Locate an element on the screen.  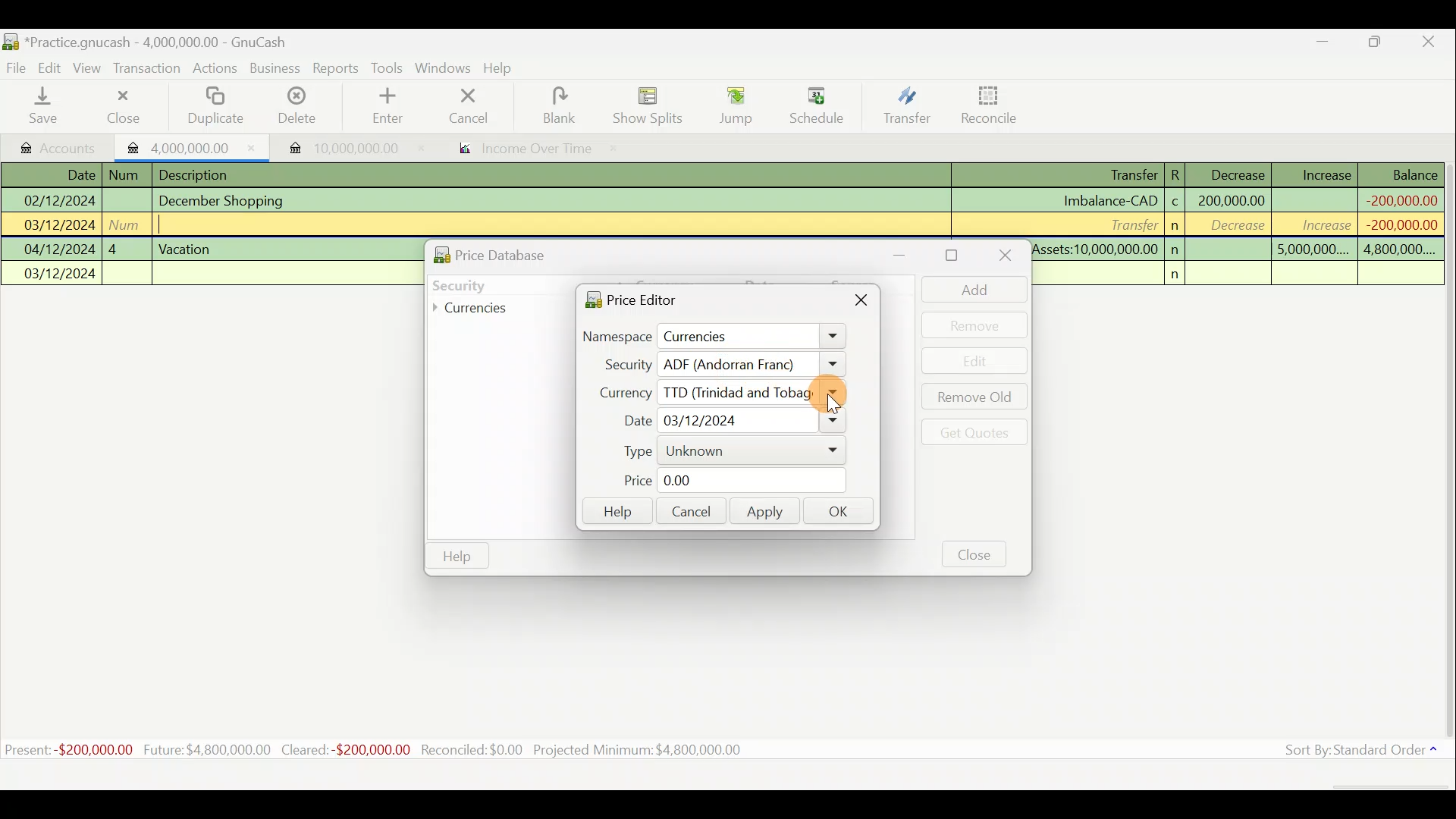
Security is located at coordinates (490, 284).